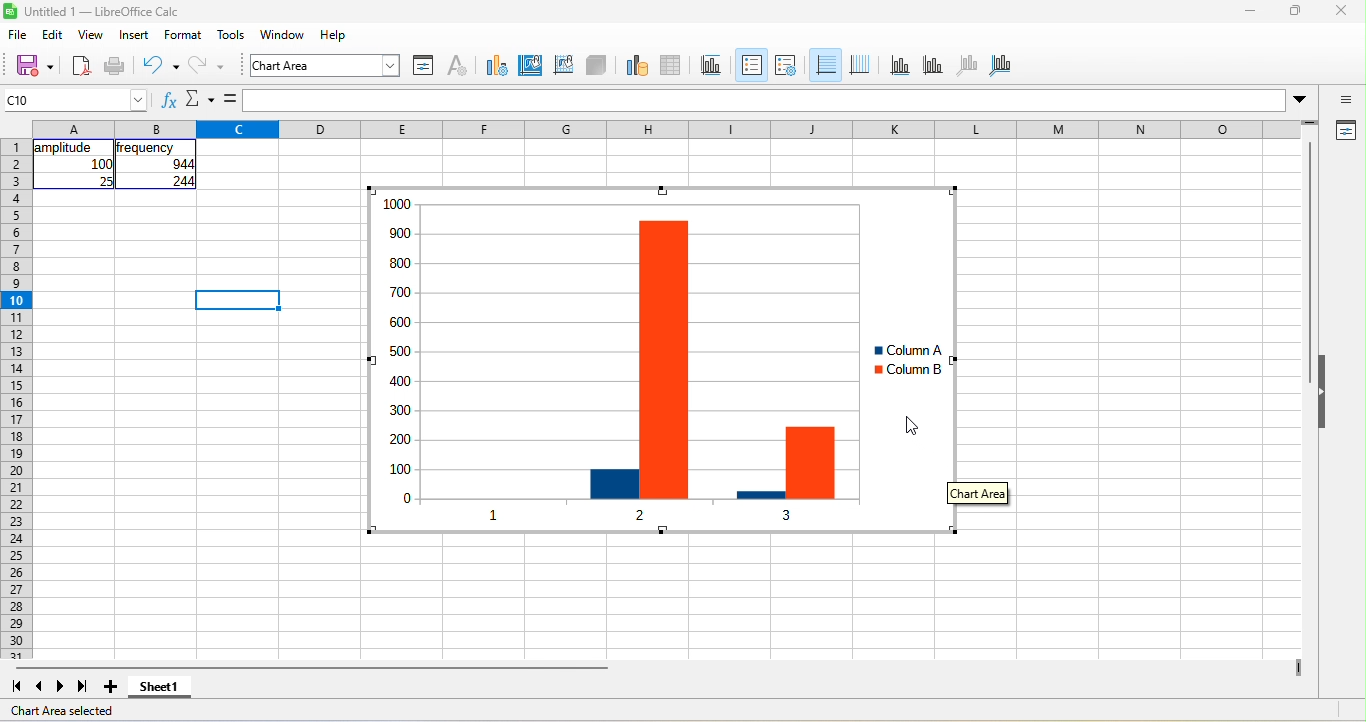 This screenshot has height=722, width=1366. Describe the element at coordinates (596, 66) in the screenshot. I see `3d view` at that location.